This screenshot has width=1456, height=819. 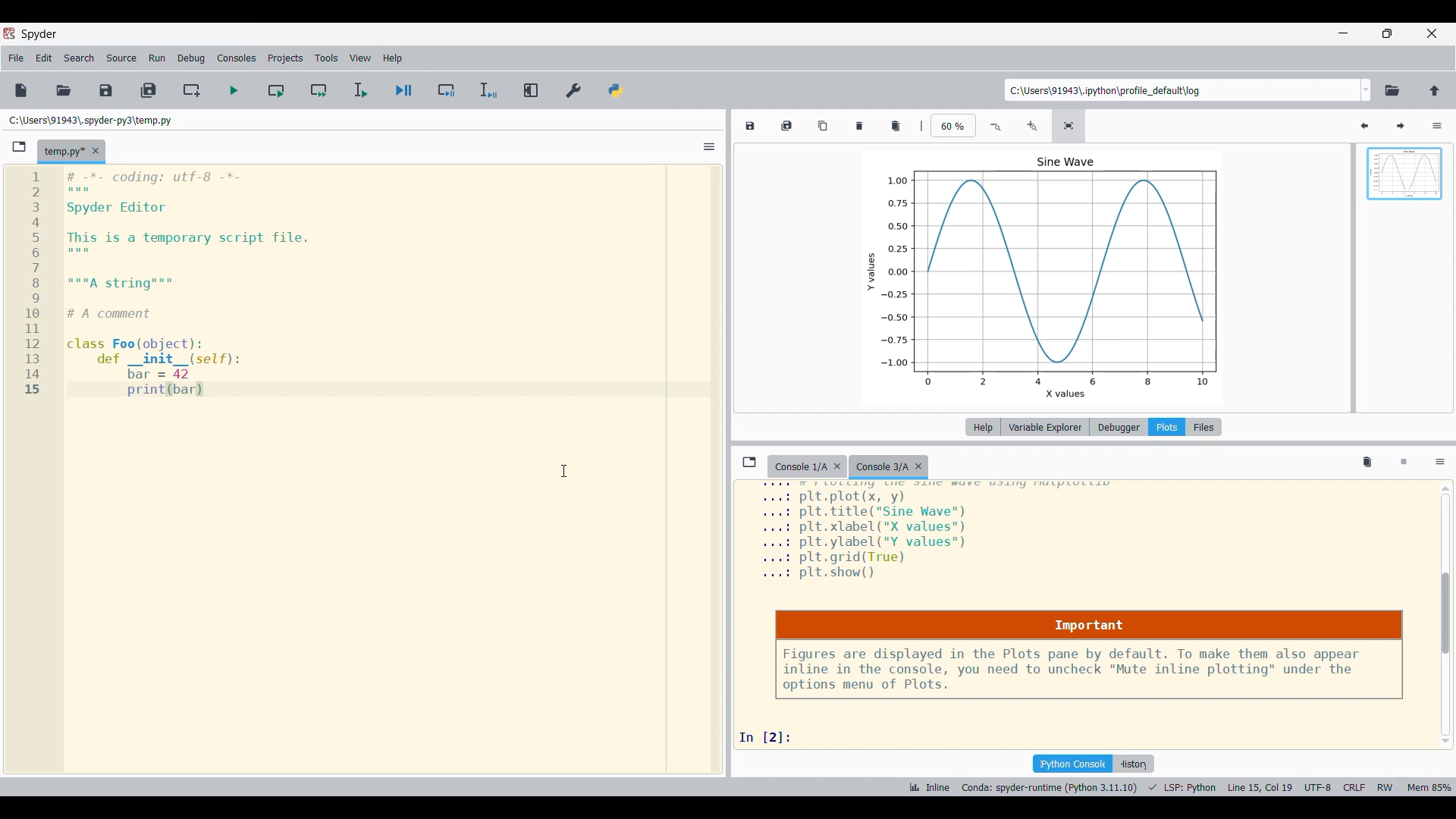 What do you see at coordinates (1367, 463) in the screenshot?
I see `Remove all variables from namespace` at bounding box center [1367, 463].